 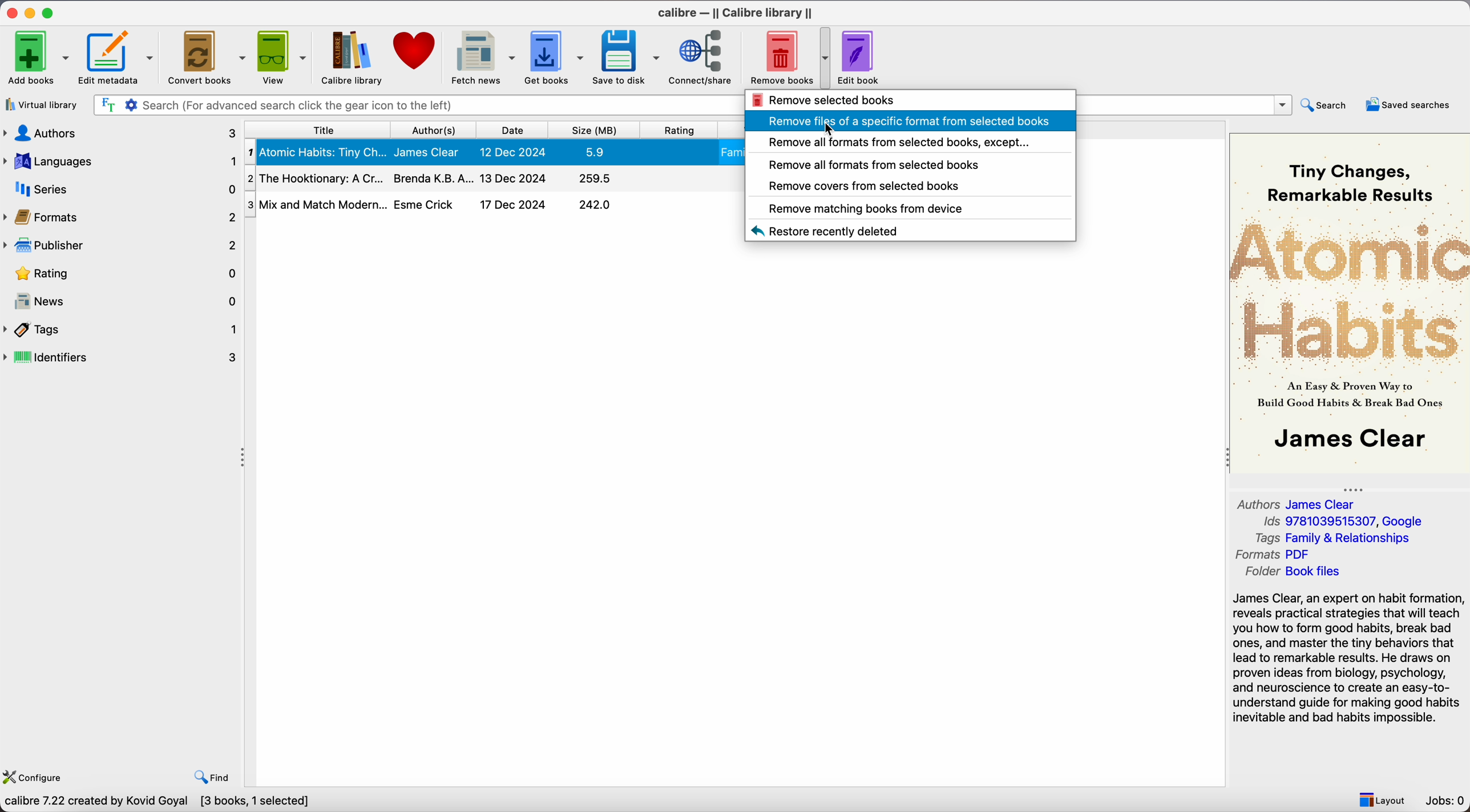 What do you see at coordinates (1324, 104) in the screenshot?
I see `search` at bounding box center [1324, 104].